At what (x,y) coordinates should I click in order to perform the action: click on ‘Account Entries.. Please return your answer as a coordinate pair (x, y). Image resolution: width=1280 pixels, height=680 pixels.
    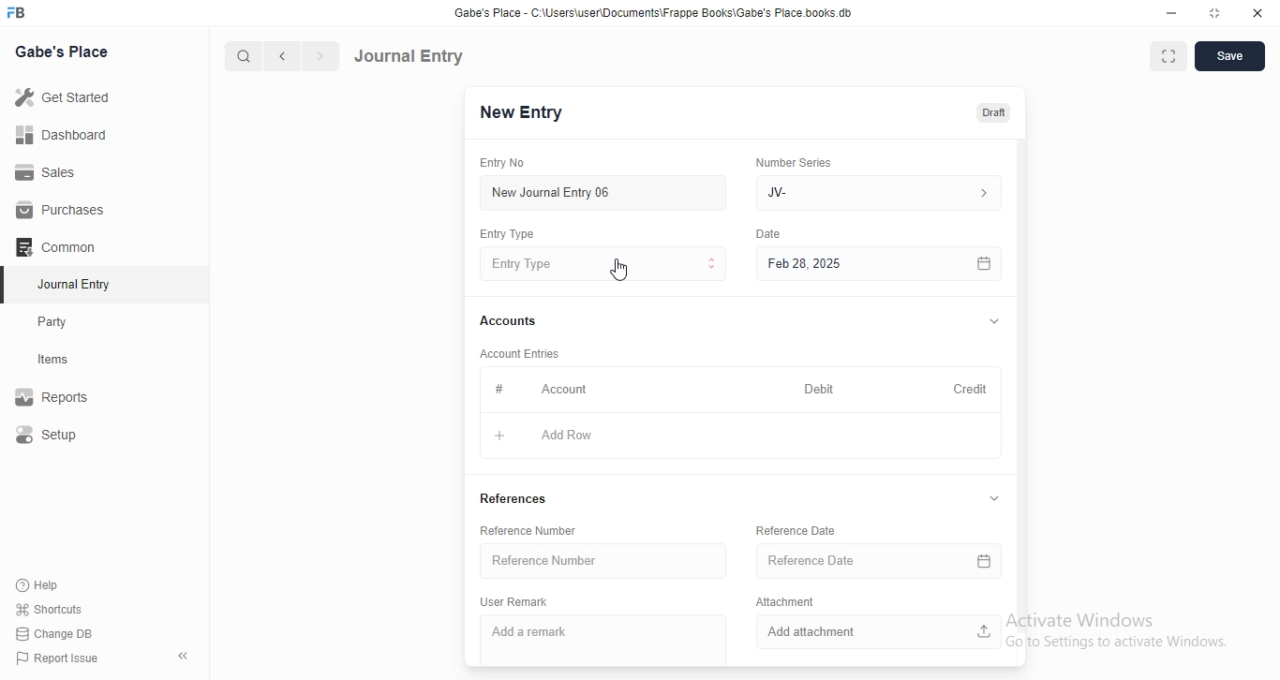
    Looking at the image, I should click on (528, 352).